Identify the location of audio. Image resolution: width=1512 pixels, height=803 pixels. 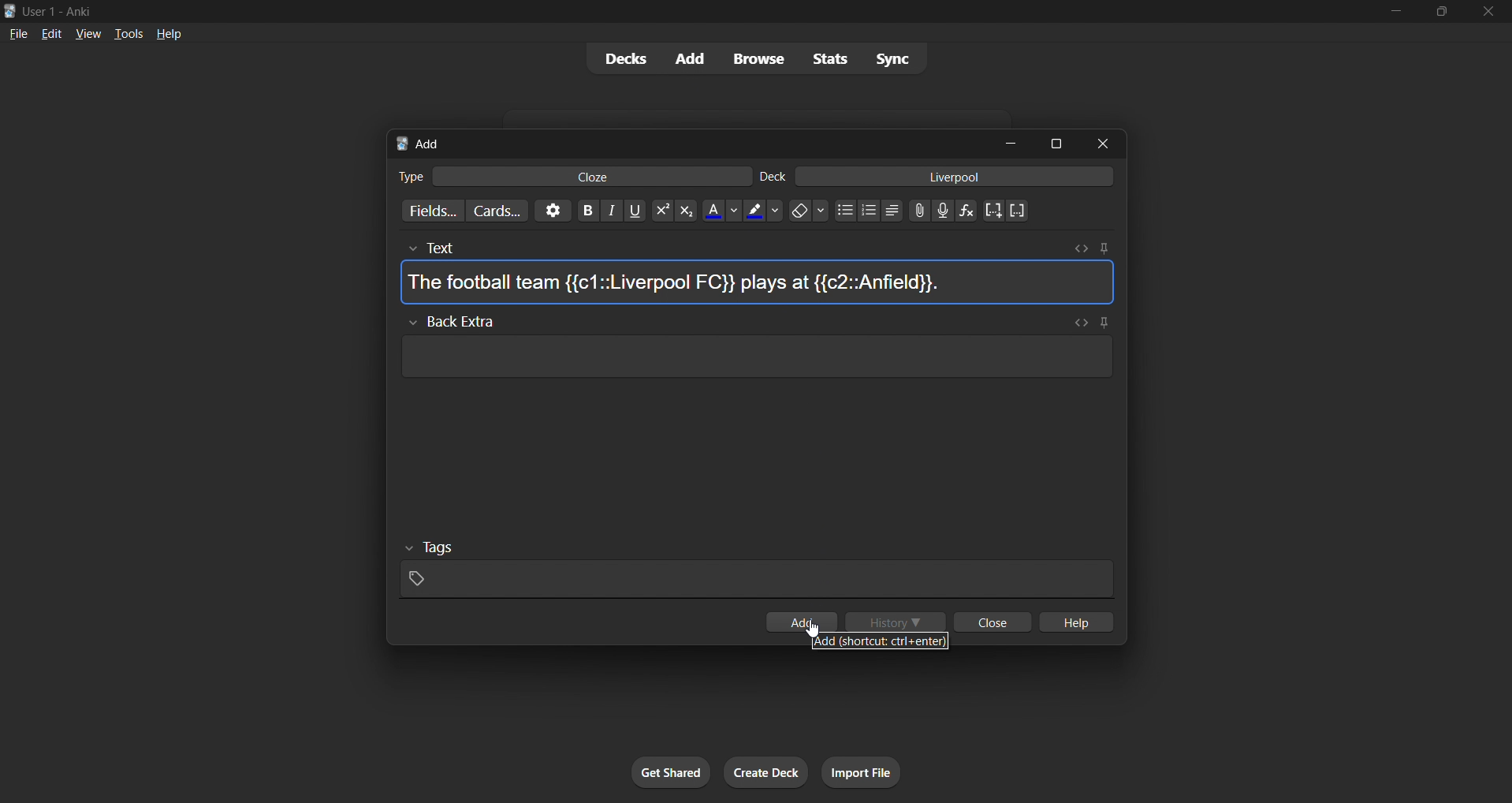
(943, 211).